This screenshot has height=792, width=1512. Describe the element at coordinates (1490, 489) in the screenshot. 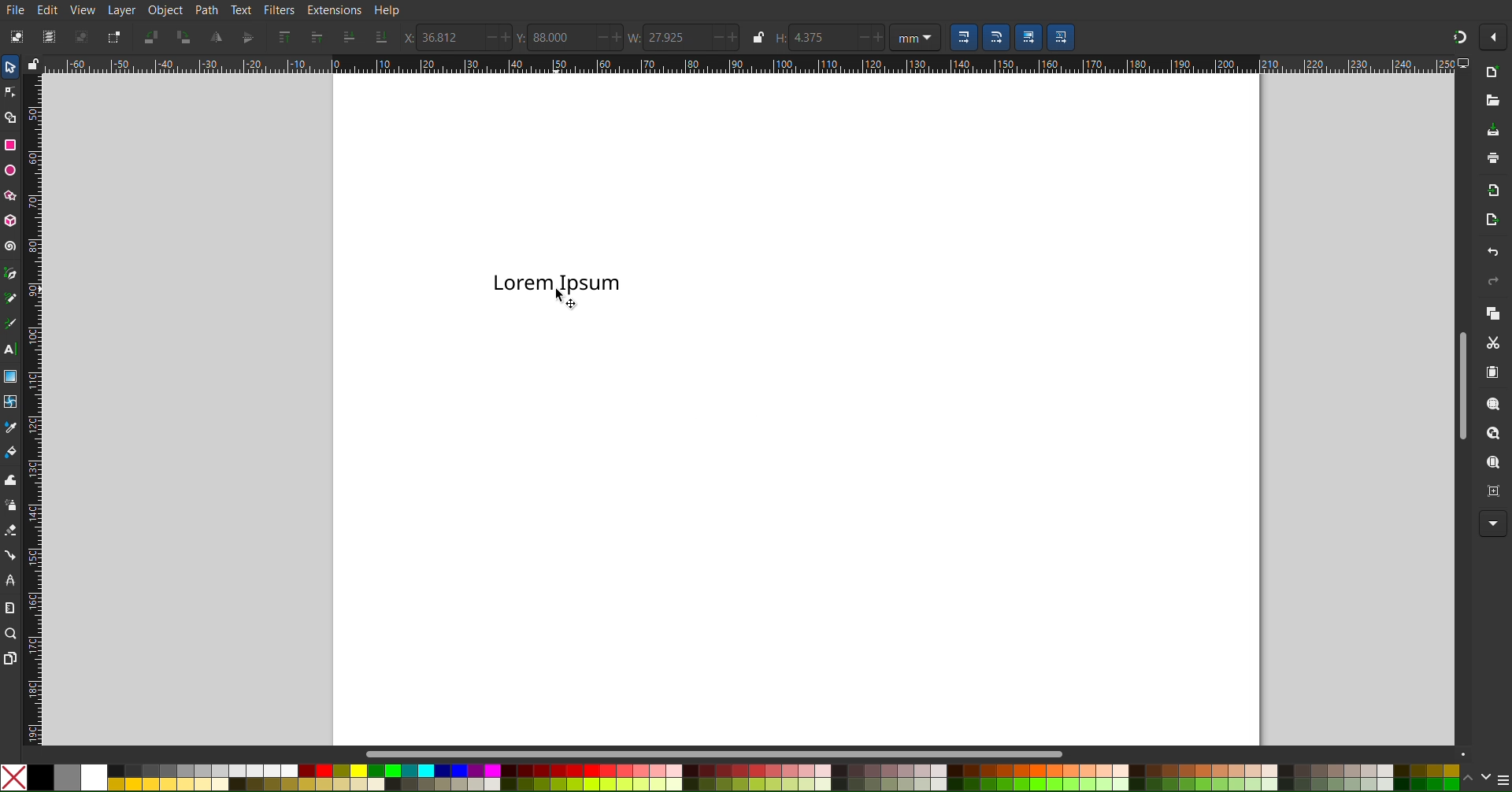

I see `Zoom Center Page` at that location.